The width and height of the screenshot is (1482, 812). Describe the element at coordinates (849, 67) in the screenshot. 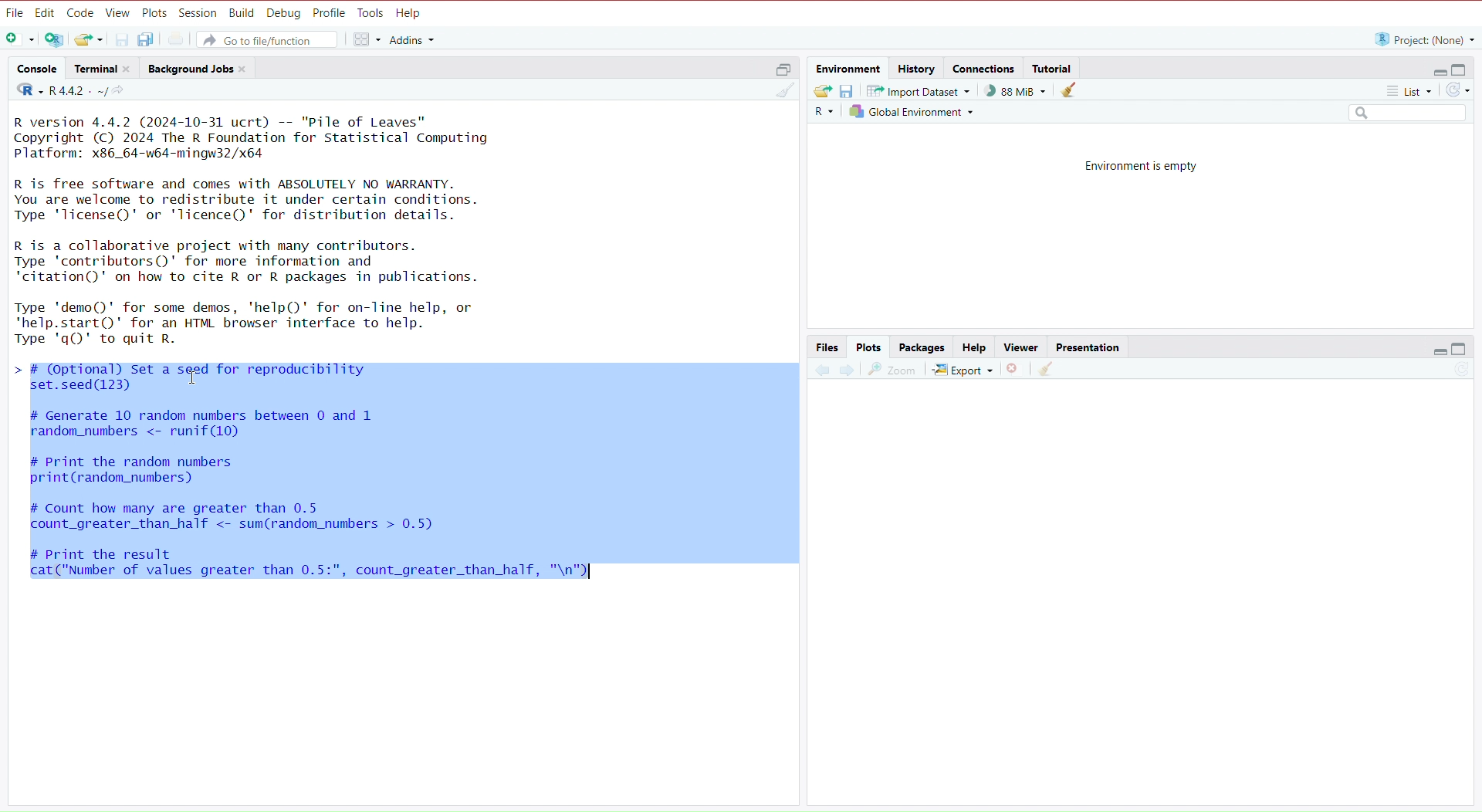

I see `Environment` at that location.